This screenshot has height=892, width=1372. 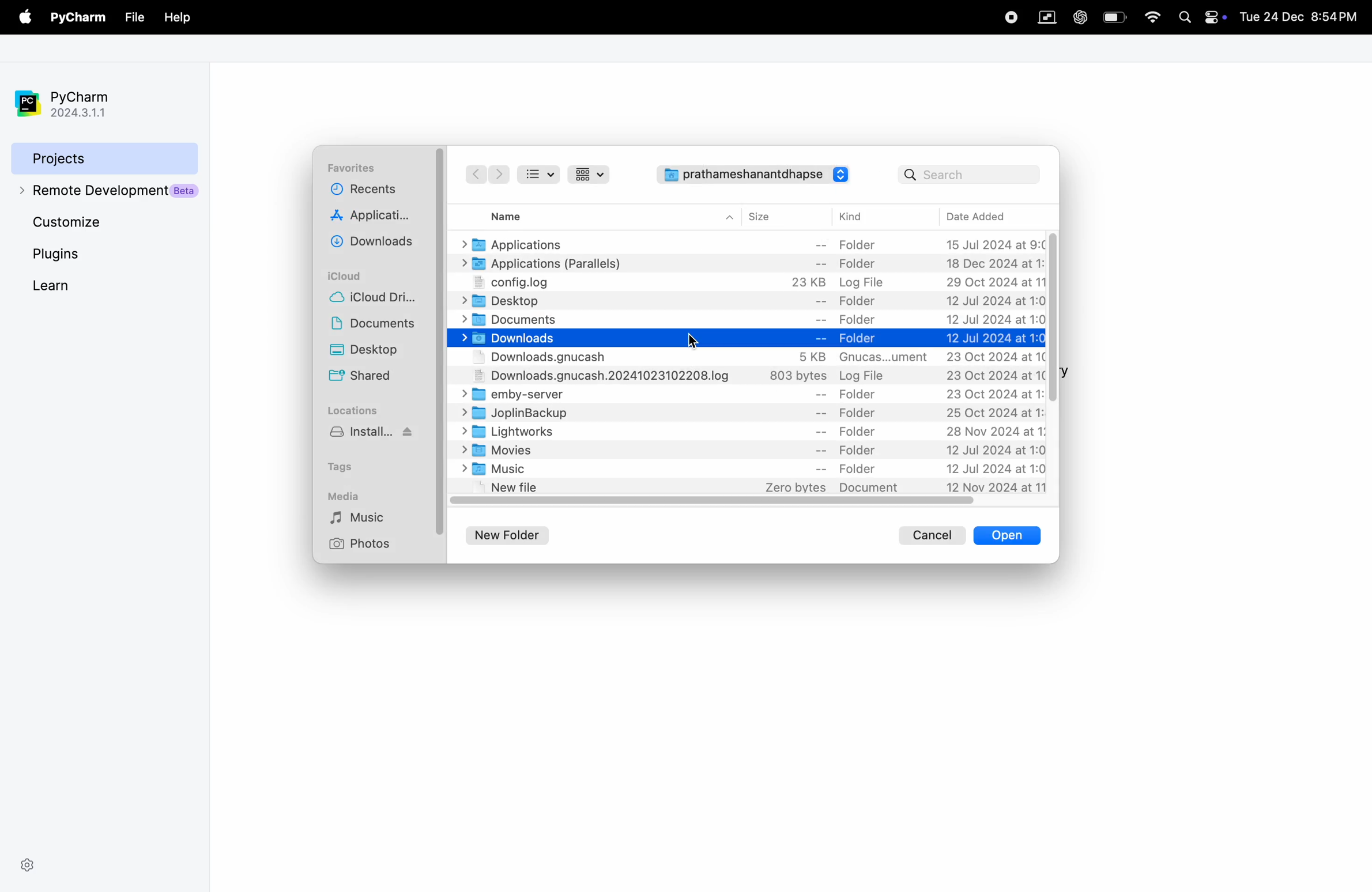 I want to click on install, so click(x=376, y=437).